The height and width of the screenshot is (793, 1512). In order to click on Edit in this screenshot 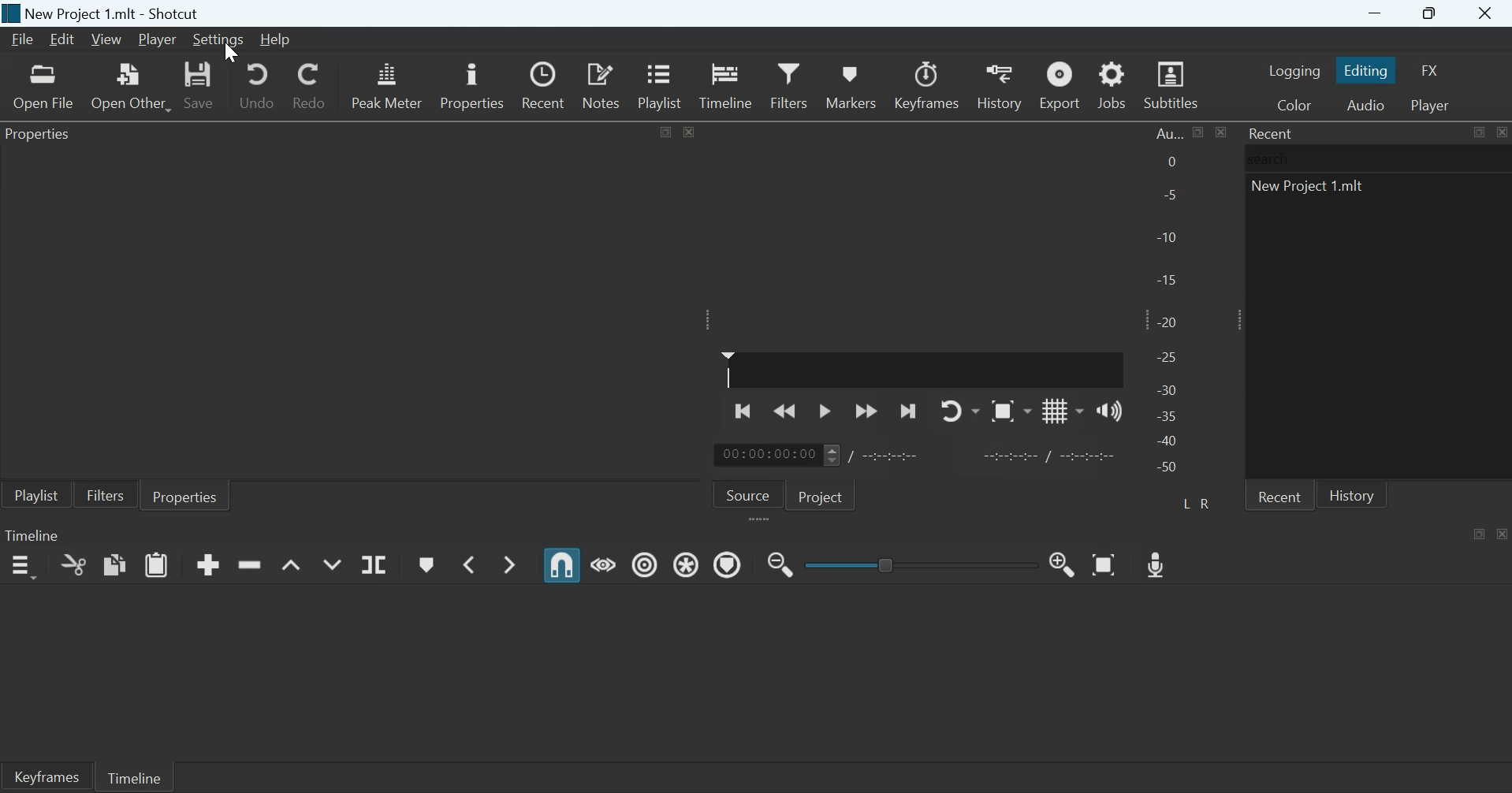, I will do `click(61, 39)`.